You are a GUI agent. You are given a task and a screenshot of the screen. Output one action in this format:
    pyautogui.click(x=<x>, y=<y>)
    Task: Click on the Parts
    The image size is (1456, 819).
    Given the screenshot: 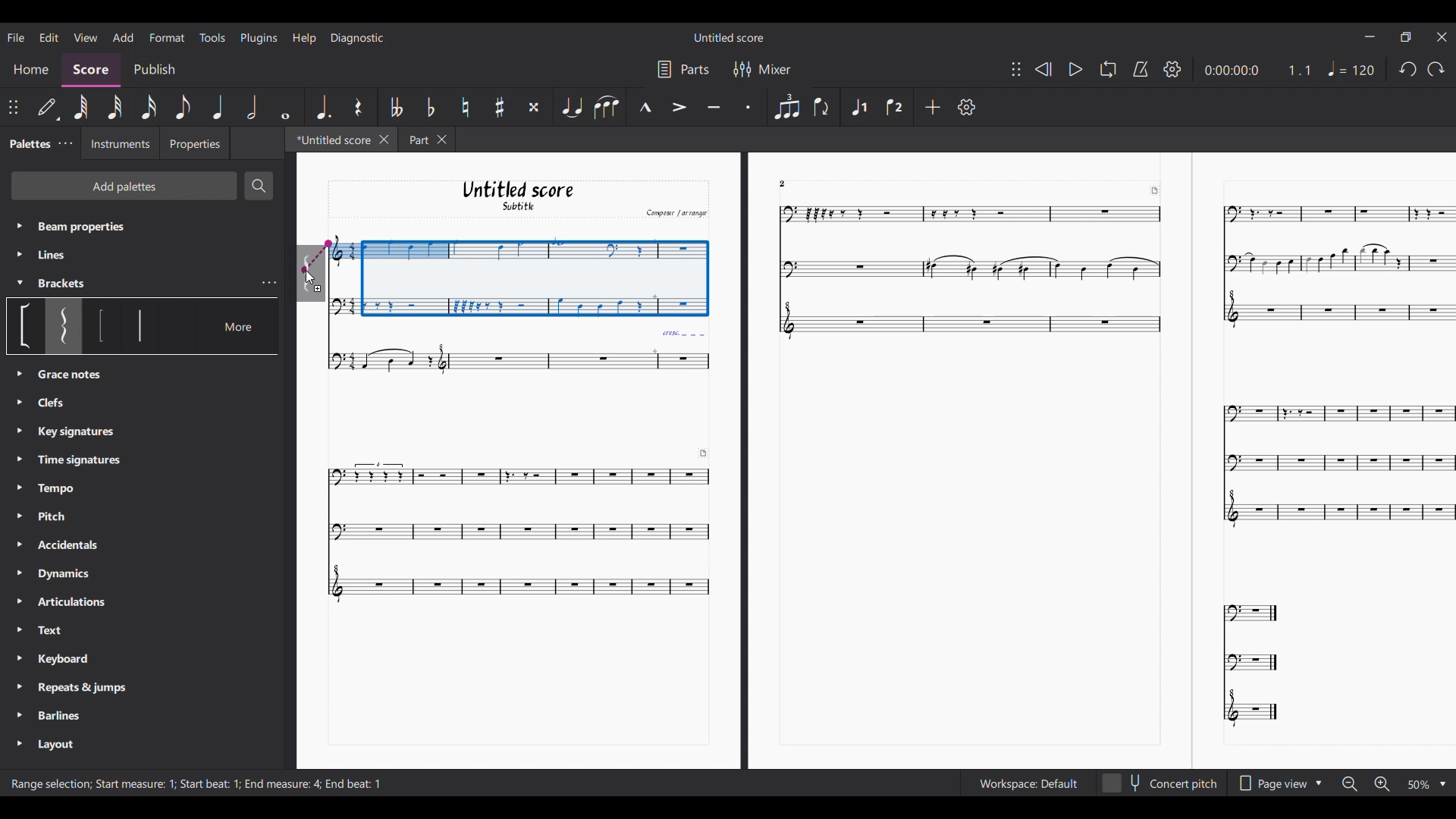 What is the action you would take?
    pyautogui.click(x=695, y=69)
    